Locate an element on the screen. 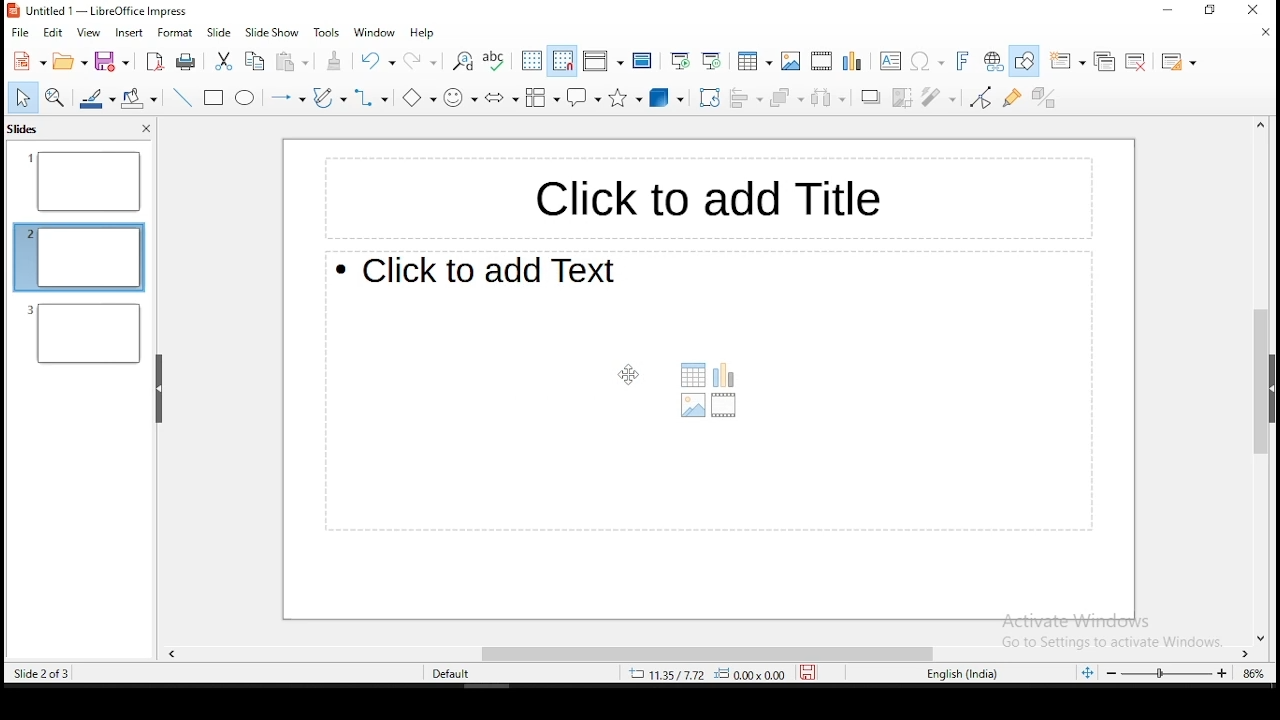 This screenshot has width=1280, height=720. restore is located at coordinates (1213, 11).